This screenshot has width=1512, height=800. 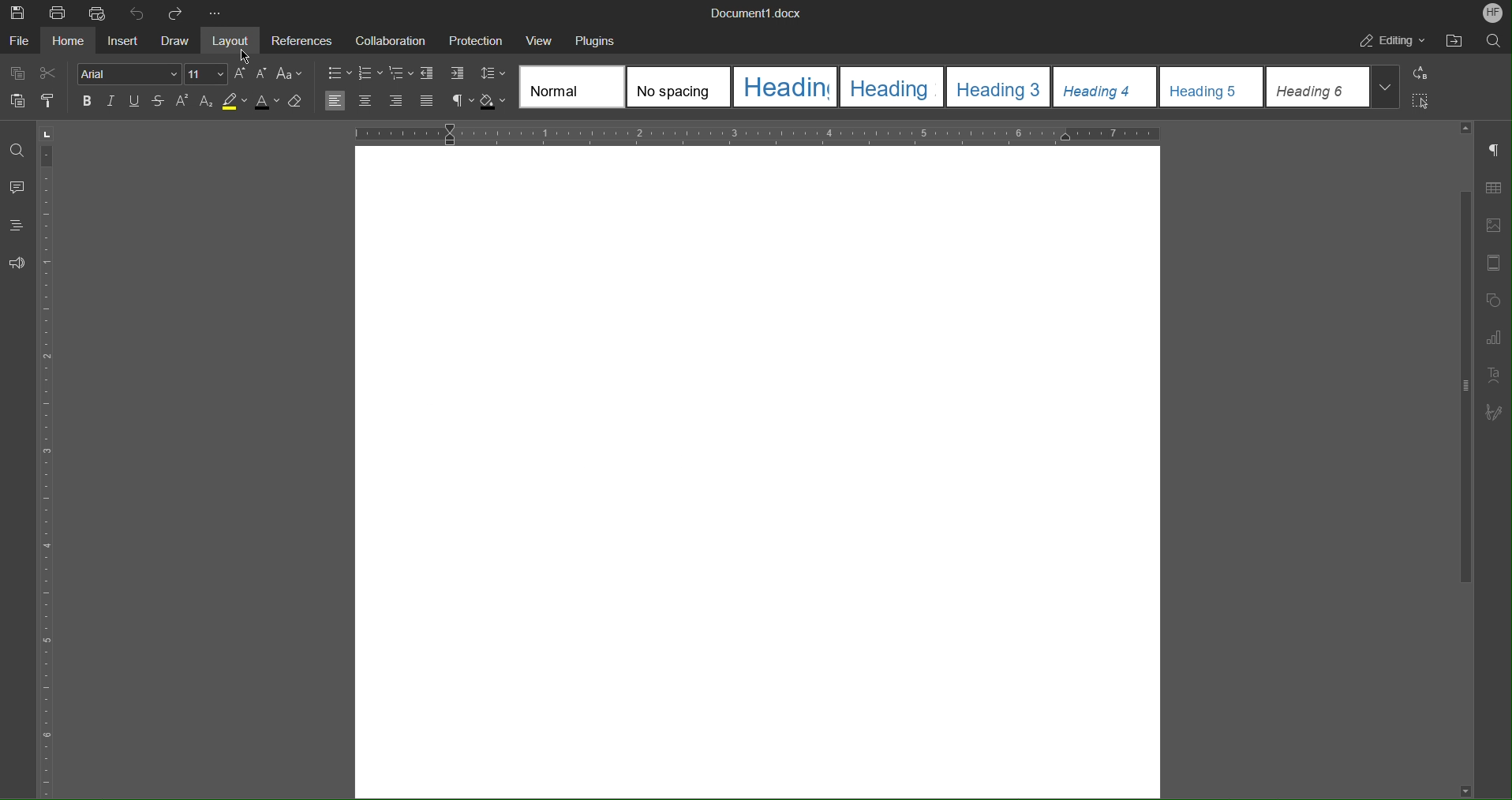 What do you see at coordinates (267, 101) in the screenshot?
I see `Text Color` at bounding box center [267, 101].